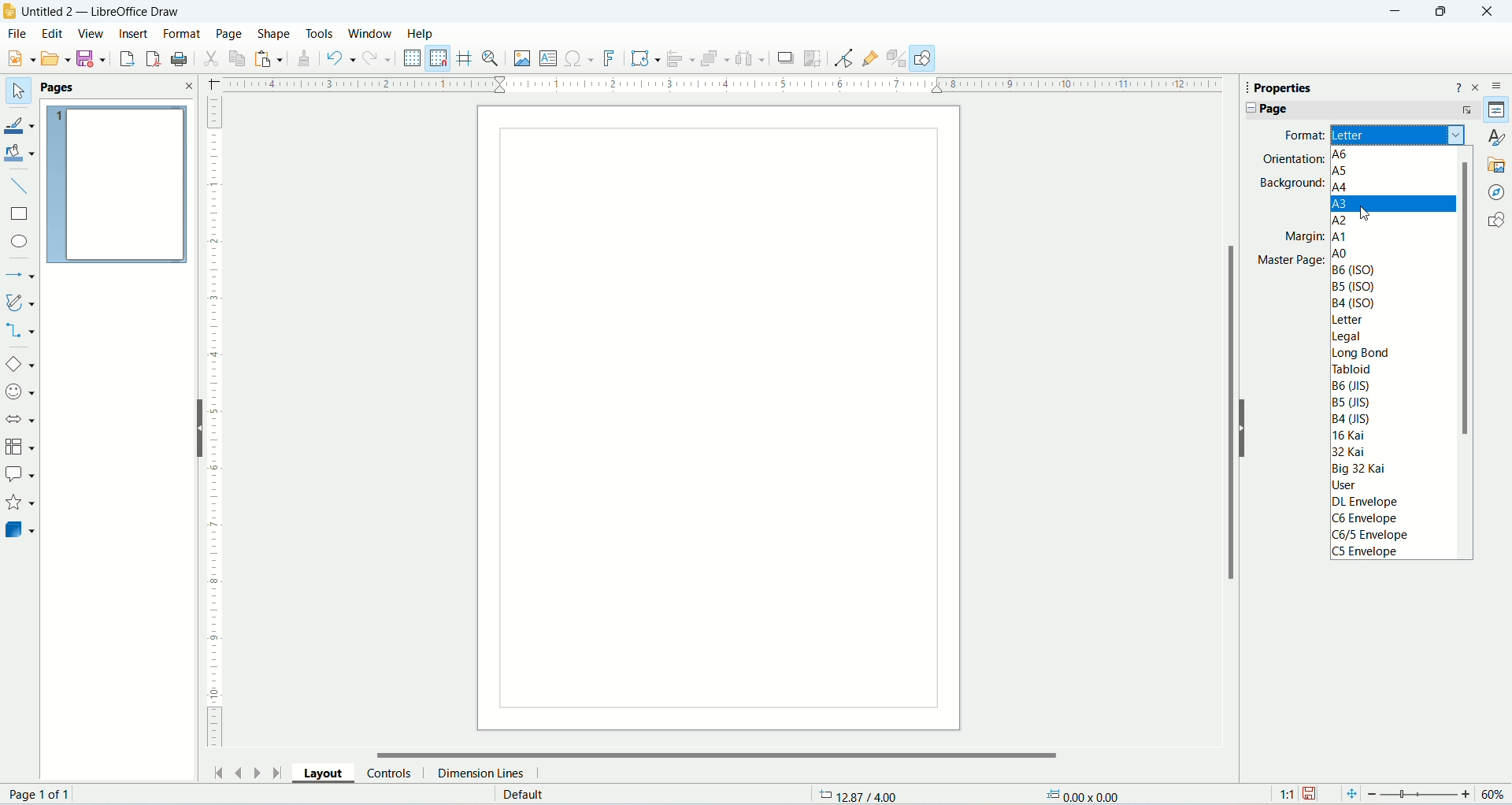  I want to click on select, so click(17, 91).